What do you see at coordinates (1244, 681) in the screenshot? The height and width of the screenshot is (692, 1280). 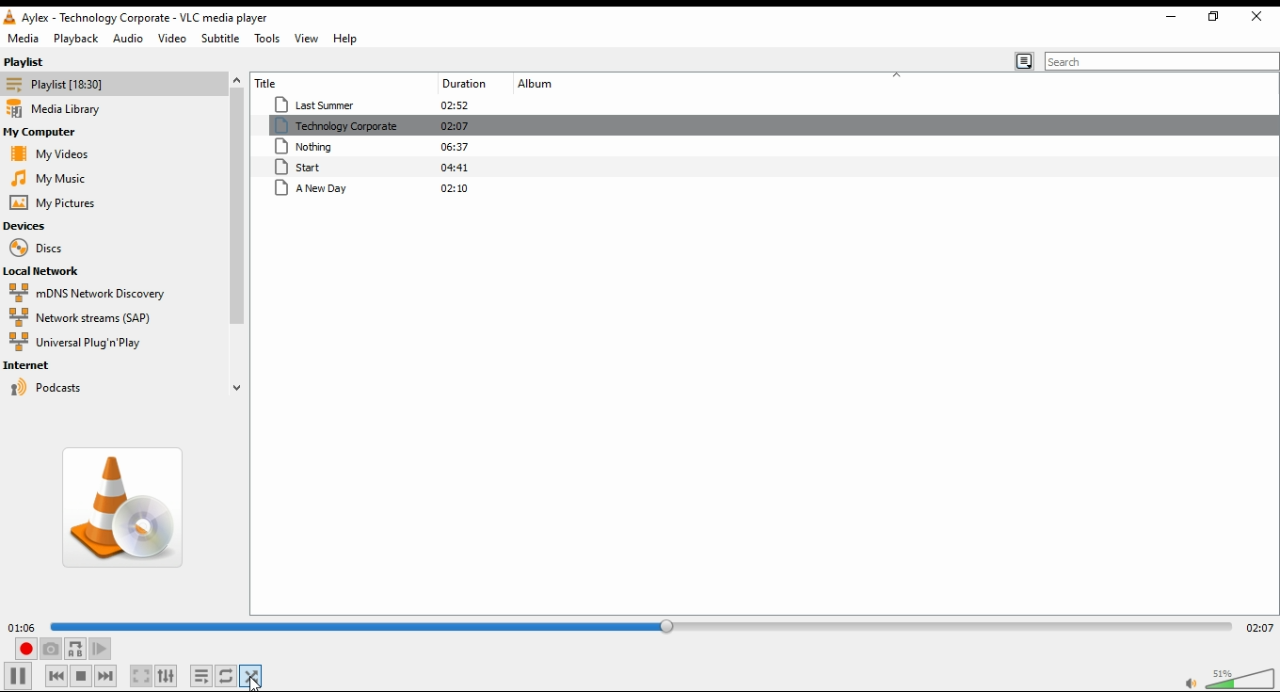 I see `volume` at bounding box center [1244, 681].